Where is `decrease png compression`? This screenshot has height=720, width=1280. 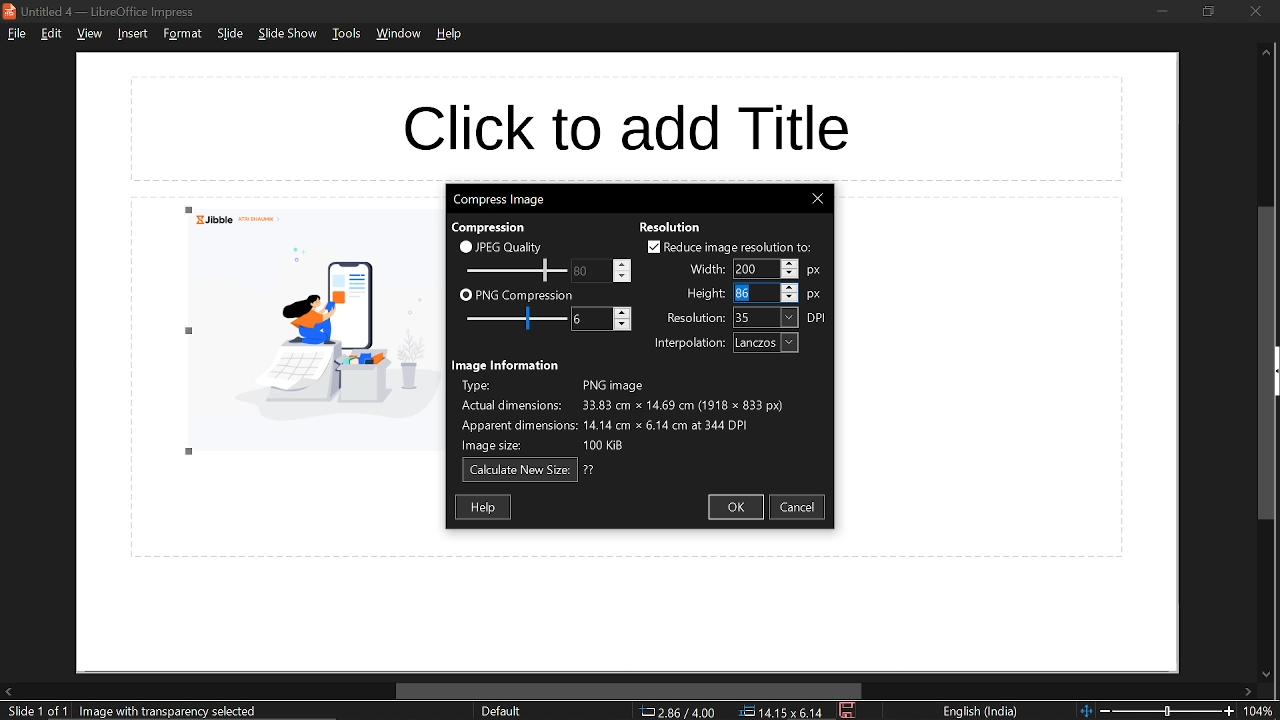
decrease png compression is located at coordinates (622, 326).